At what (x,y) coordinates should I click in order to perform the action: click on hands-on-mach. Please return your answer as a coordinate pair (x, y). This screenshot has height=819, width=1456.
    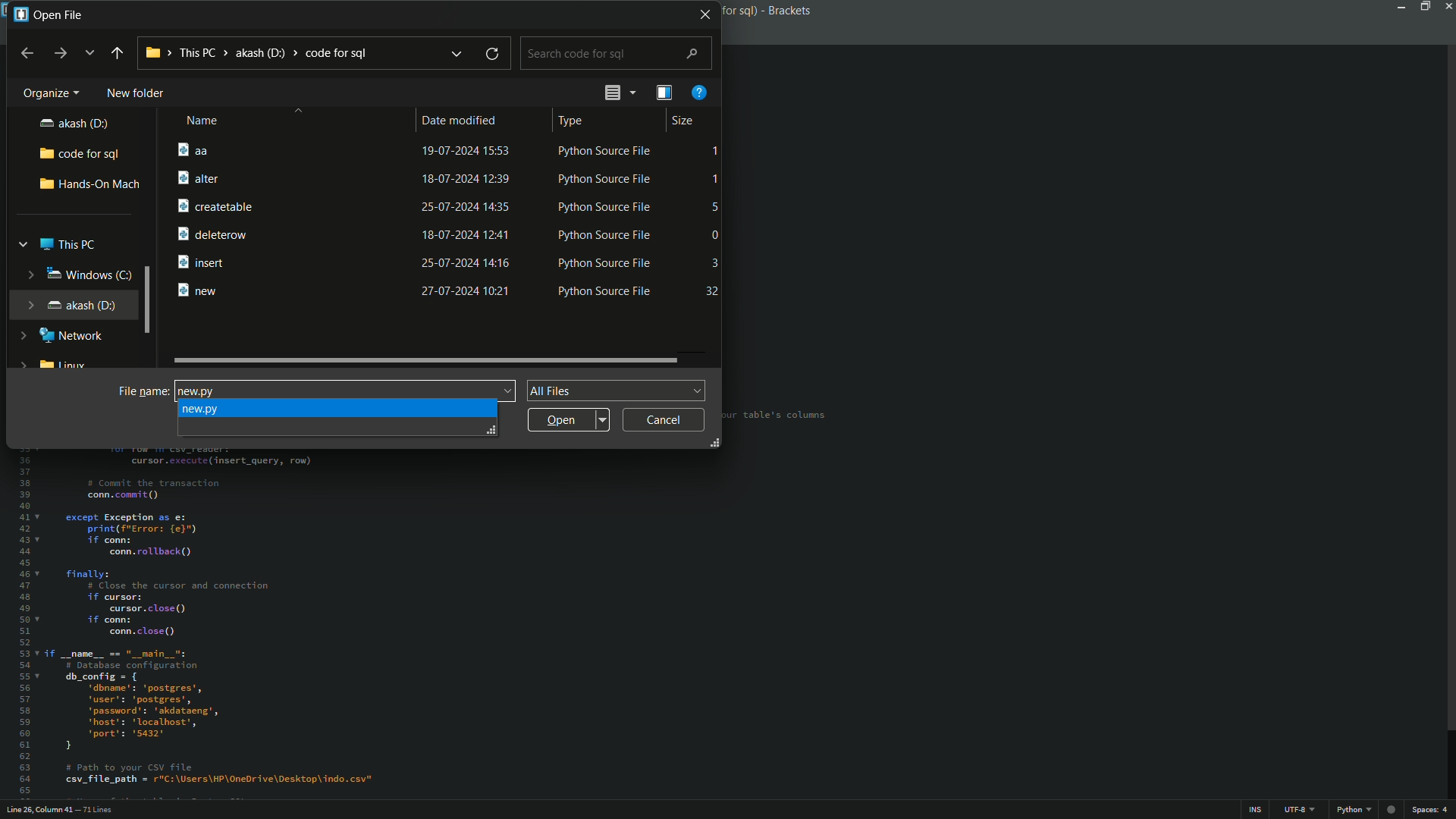
    Looking at the image, I should click on (89, 184).